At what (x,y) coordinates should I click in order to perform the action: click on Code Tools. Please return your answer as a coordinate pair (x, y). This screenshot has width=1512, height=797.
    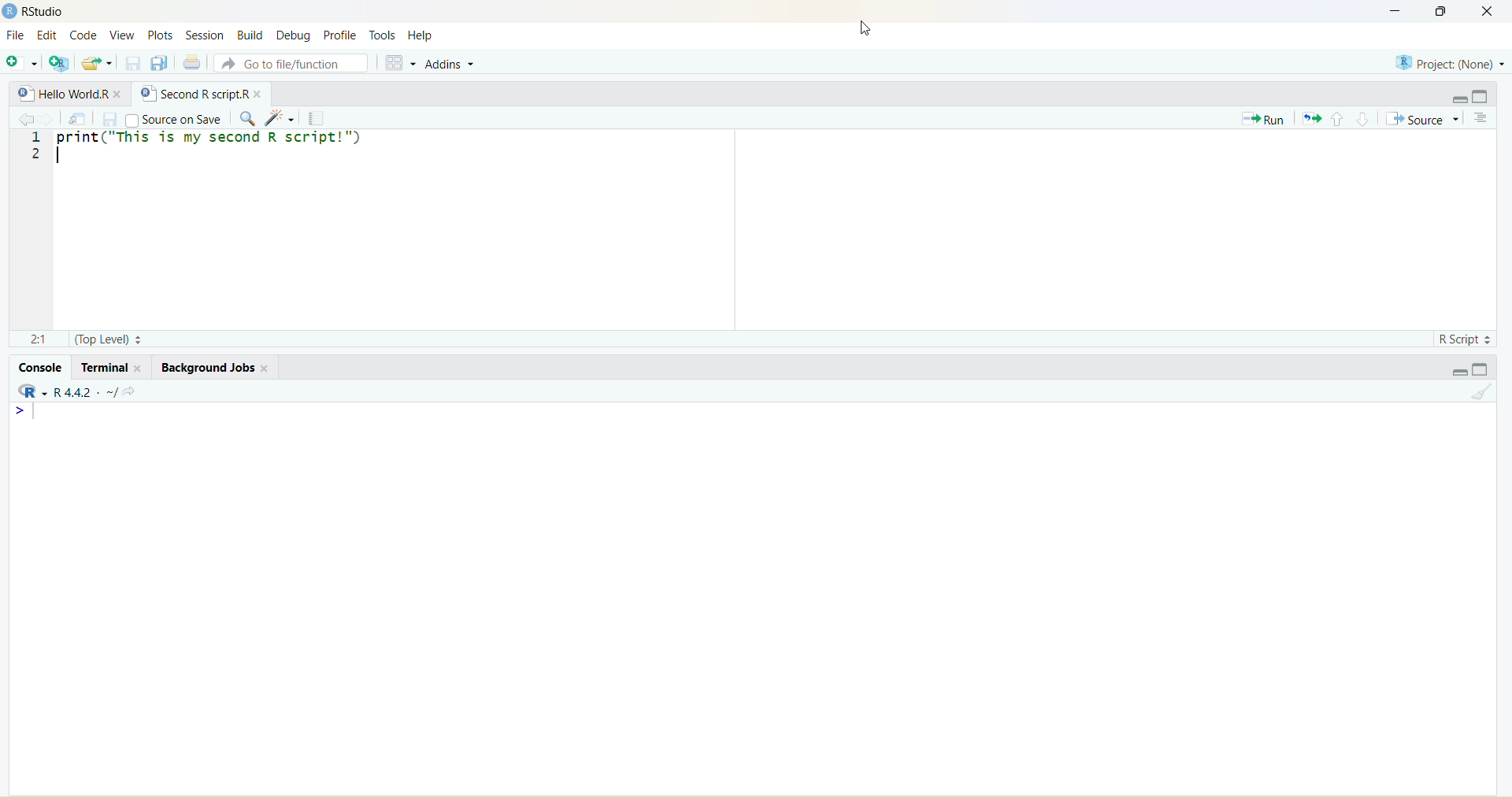
    Looking at the image, I should click on (280, 117).